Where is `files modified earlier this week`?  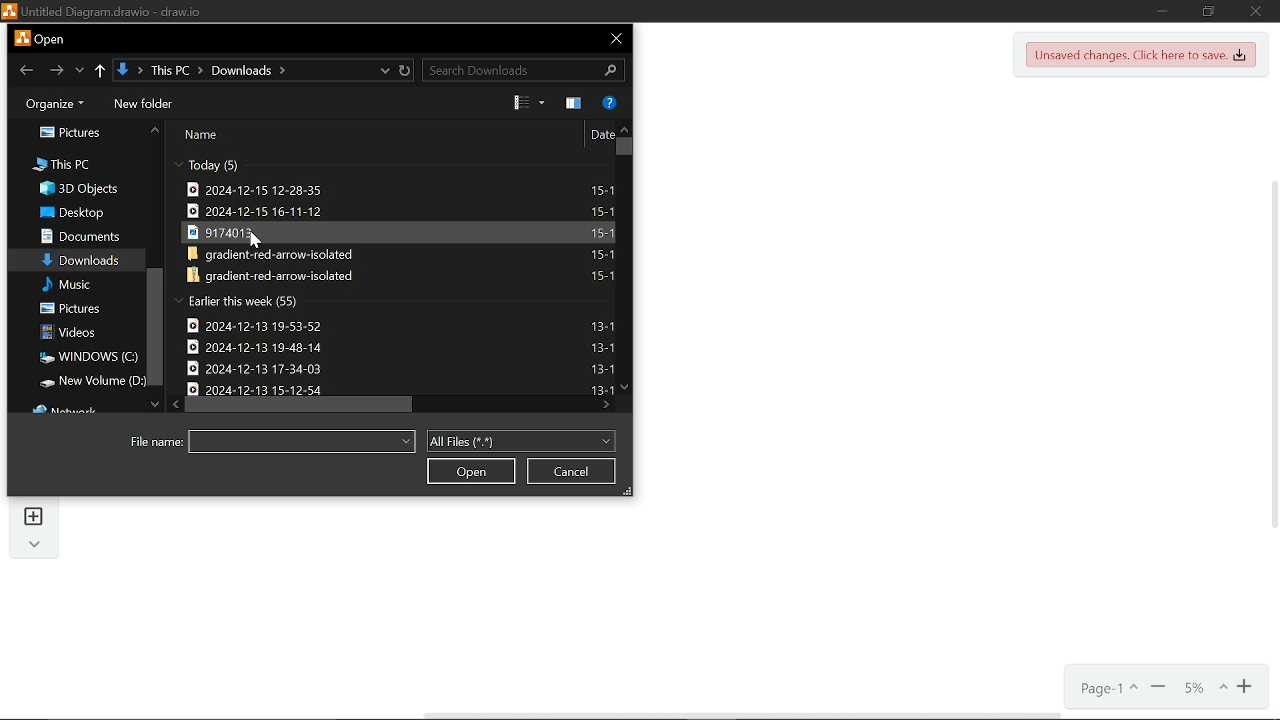
files modified earlier this week is located at coordinates (251, 301).